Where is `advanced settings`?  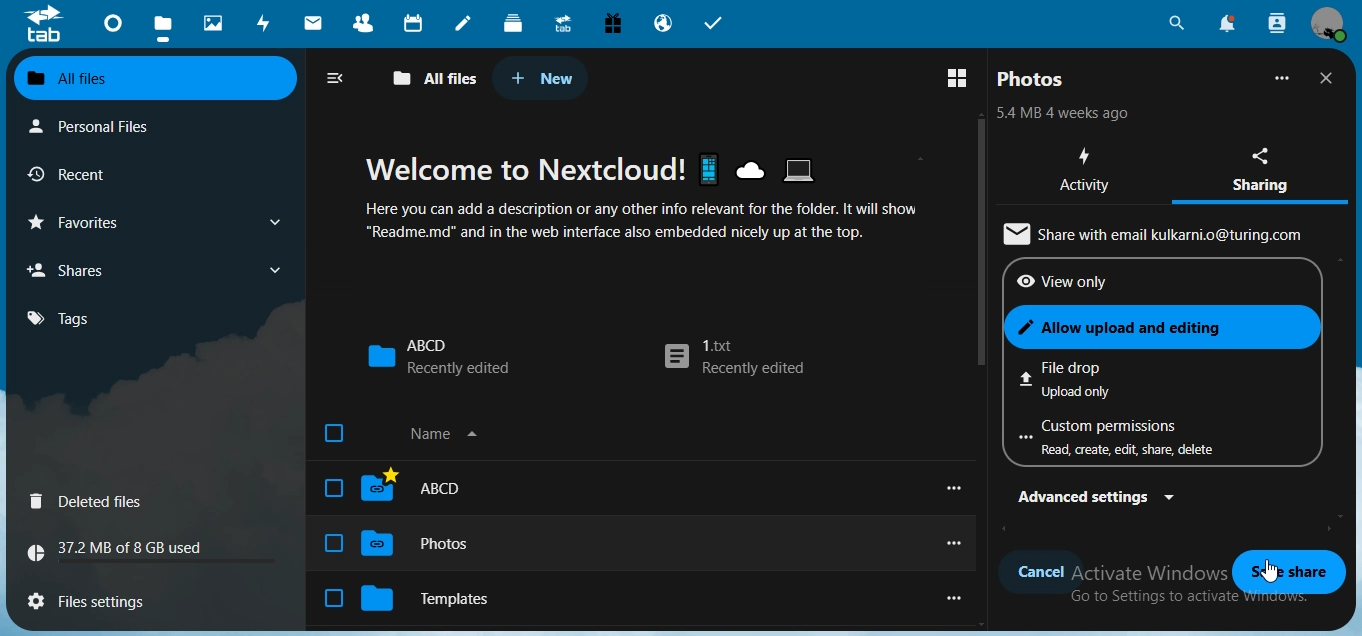
advanced settings is located at coordinates (1099, 497).